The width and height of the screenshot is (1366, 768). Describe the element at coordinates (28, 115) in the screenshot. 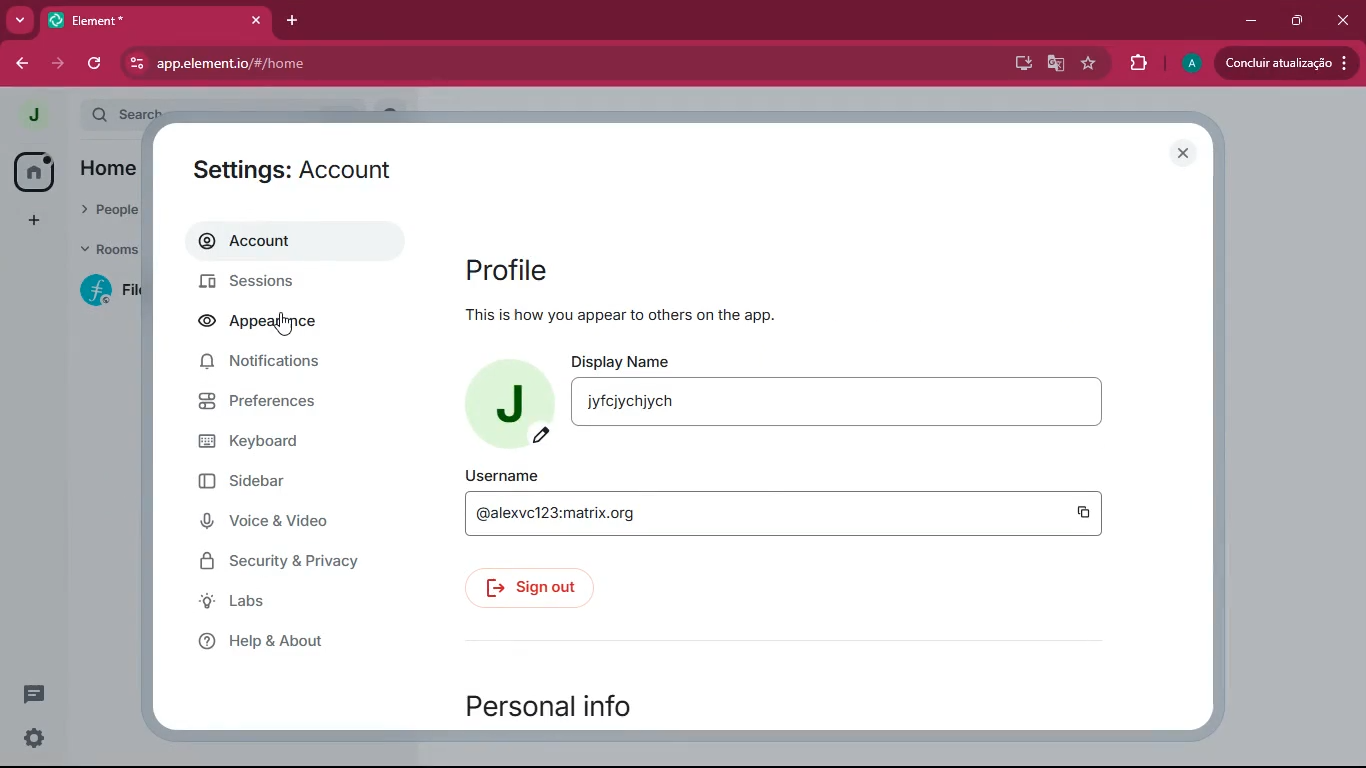

I see `profile picture` at that location.